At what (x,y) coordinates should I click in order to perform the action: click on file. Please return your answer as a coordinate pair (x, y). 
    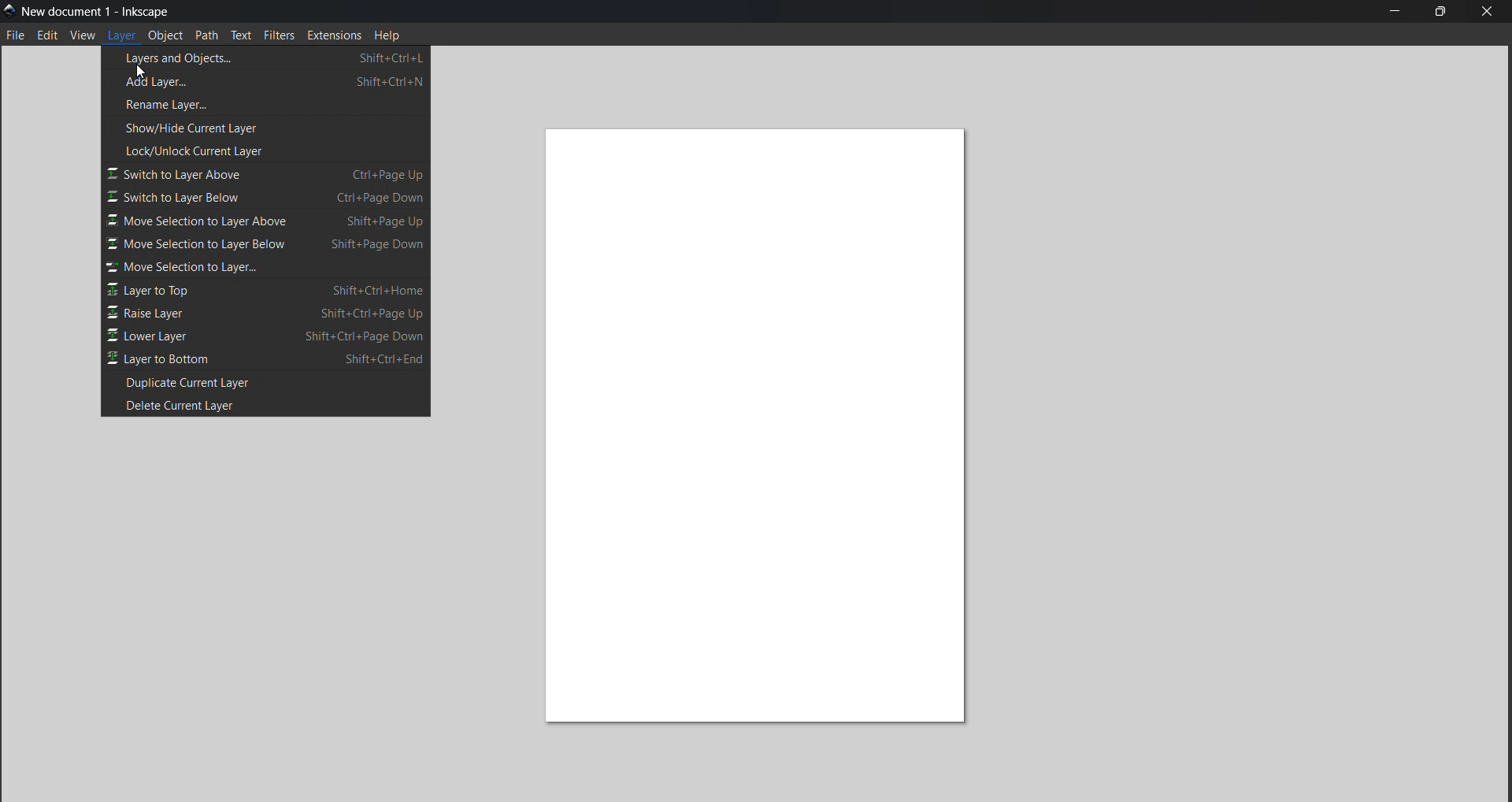
    Looking at the image, I should click on (17, 35).